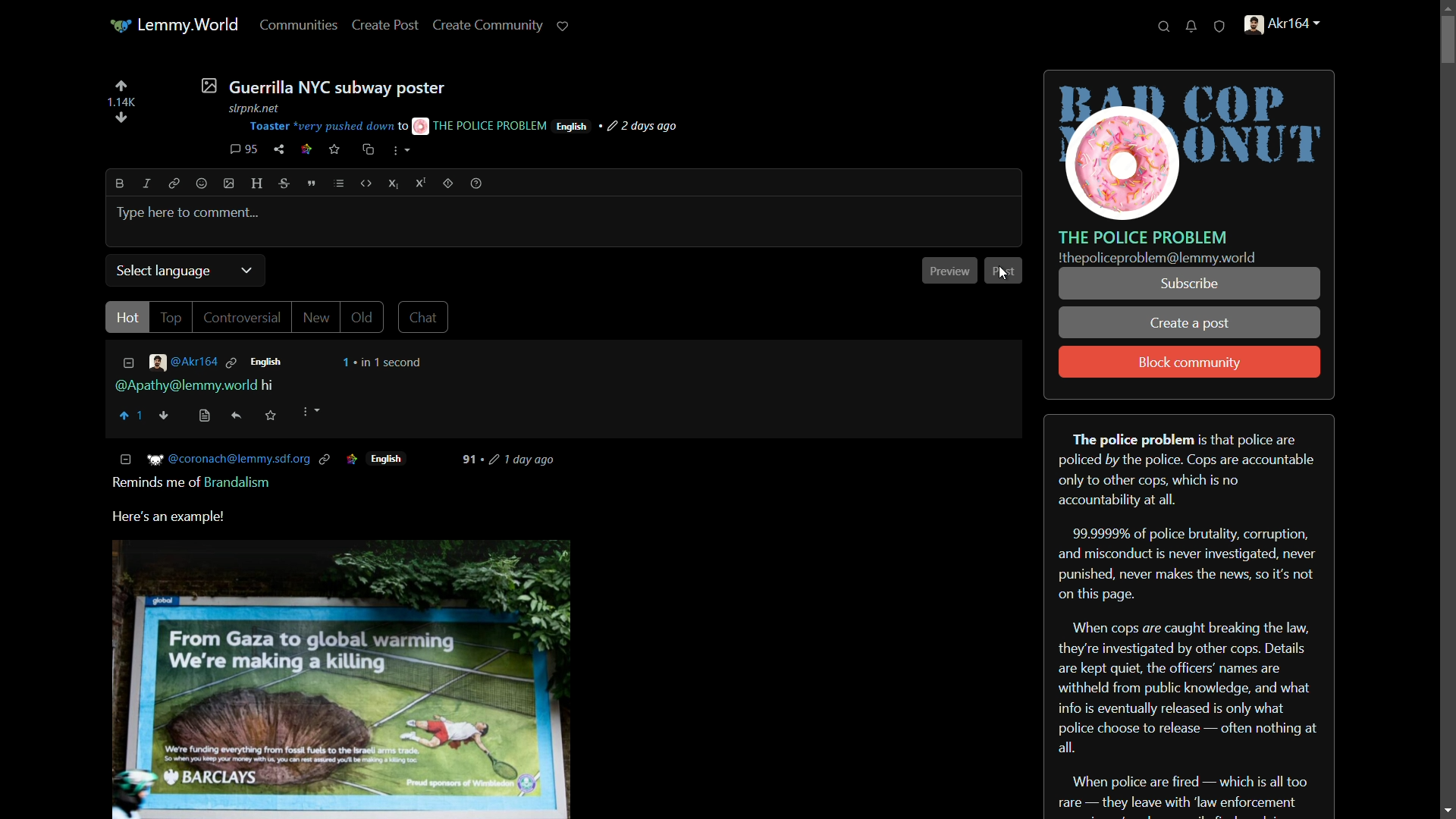 The image size is (1456, 819). What do you see at coordinates (121, 86) in the screenshot?
I see `upvote` at bounding box center [121, 86].